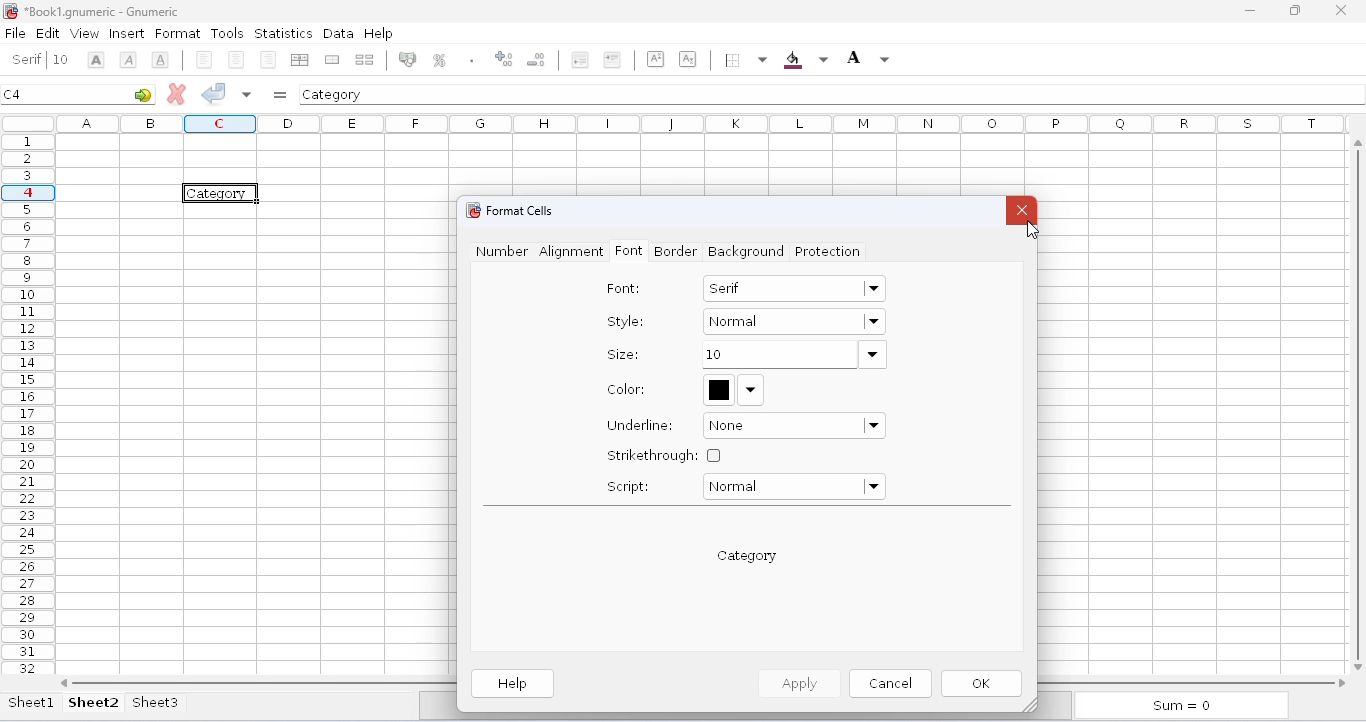 This screenshot has height=722, width=1366. I want to click on help, so click(514, 684).